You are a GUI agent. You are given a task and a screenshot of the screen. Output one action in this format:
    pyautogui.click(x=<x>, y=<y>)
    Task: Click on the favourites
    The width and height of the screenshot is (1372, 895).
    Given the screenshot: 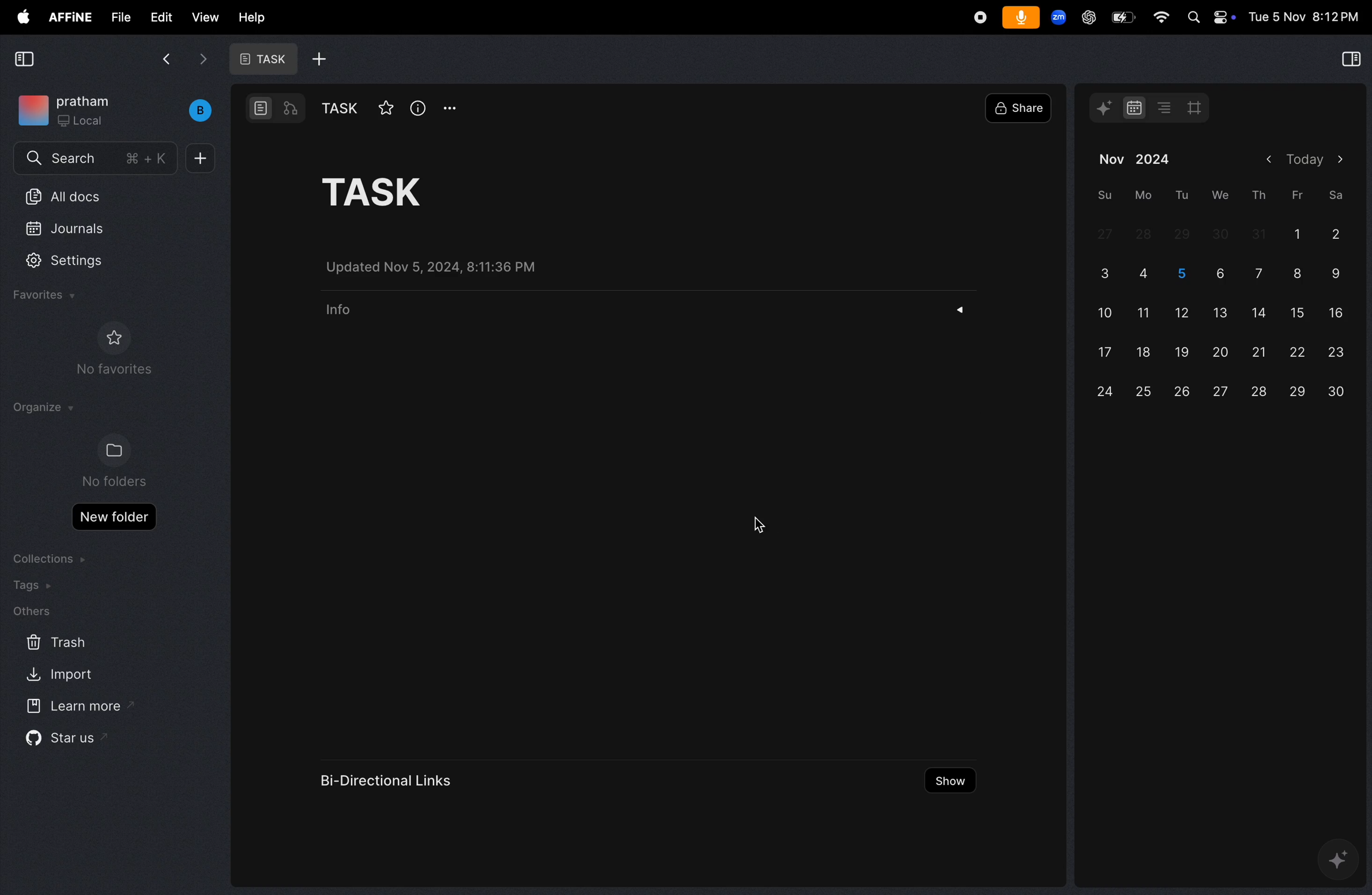 What is the action you would take?
    pyautogui.click(x=48, y=296)
    